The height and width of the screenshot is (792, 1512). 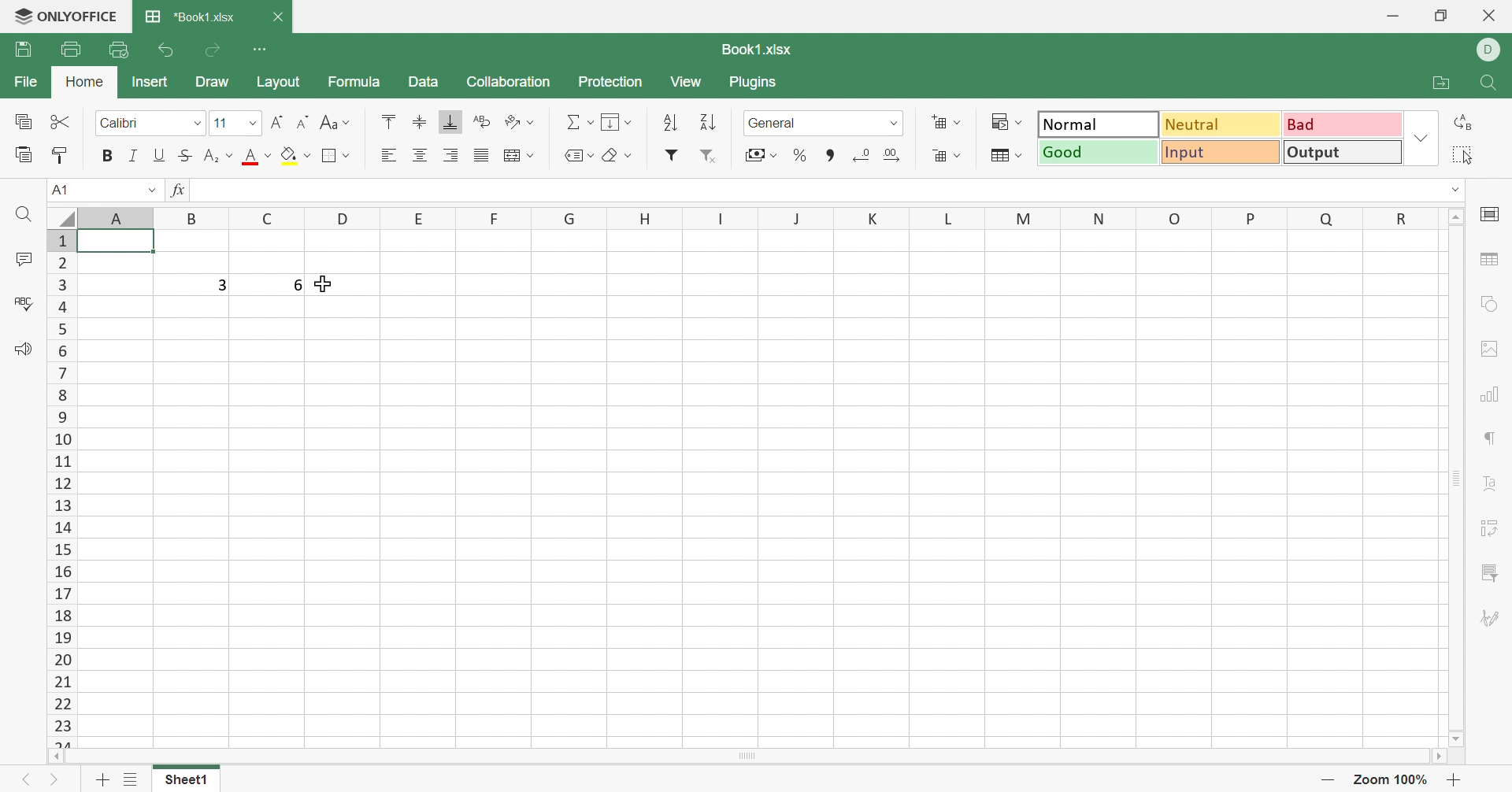 What do you see at coordinates (391, 156) in the screenshot?
I see `Align left` at bounding box center [391, 156].